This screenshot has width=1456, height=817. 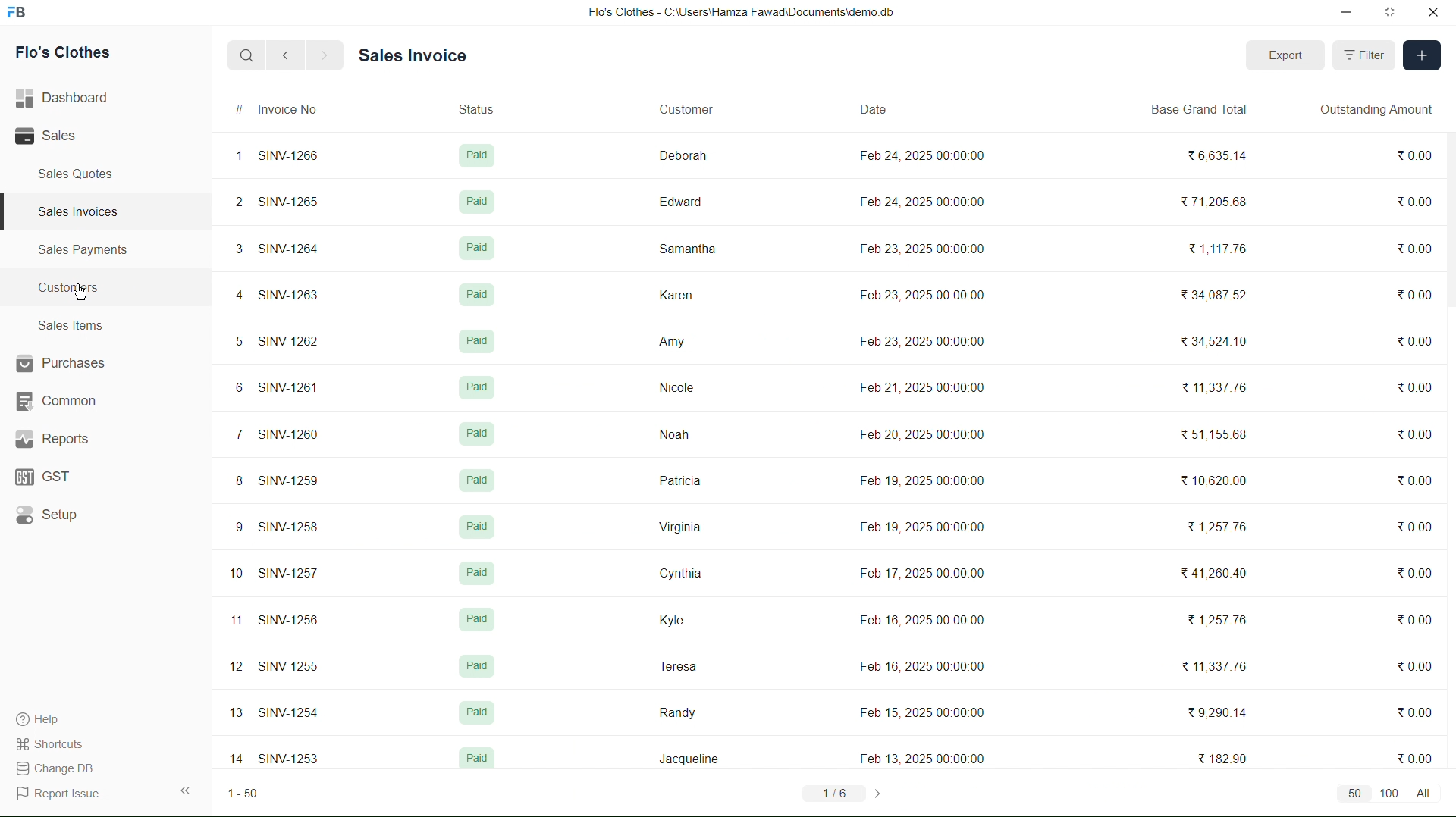 What do you see at coordinates (686, 109) in the screenshot?
I see `Customer` at bounding box center [686, 109].